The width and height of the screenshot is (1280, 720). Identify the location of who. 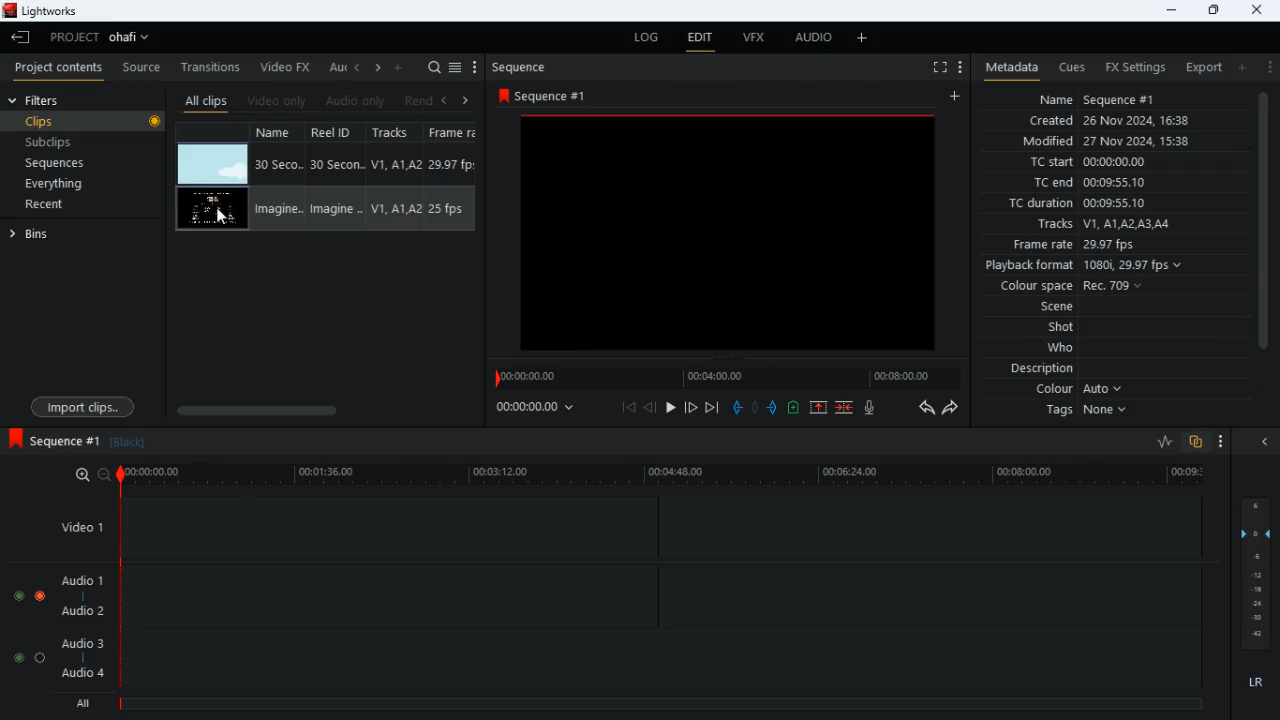
(1056, 348).